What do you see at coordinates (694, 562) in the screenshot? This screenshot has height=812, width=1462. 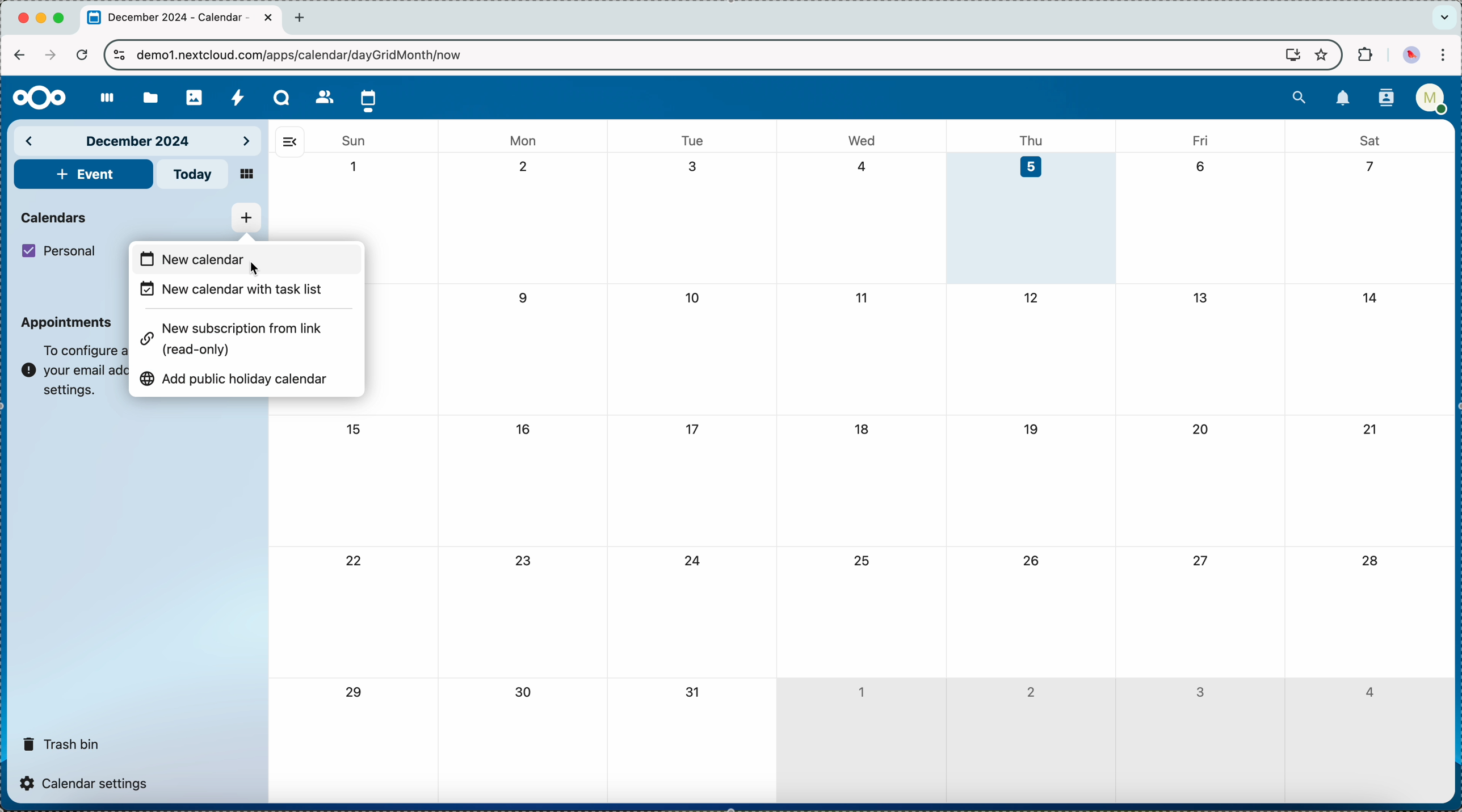 I see `24` at bounding box center [694, 562].